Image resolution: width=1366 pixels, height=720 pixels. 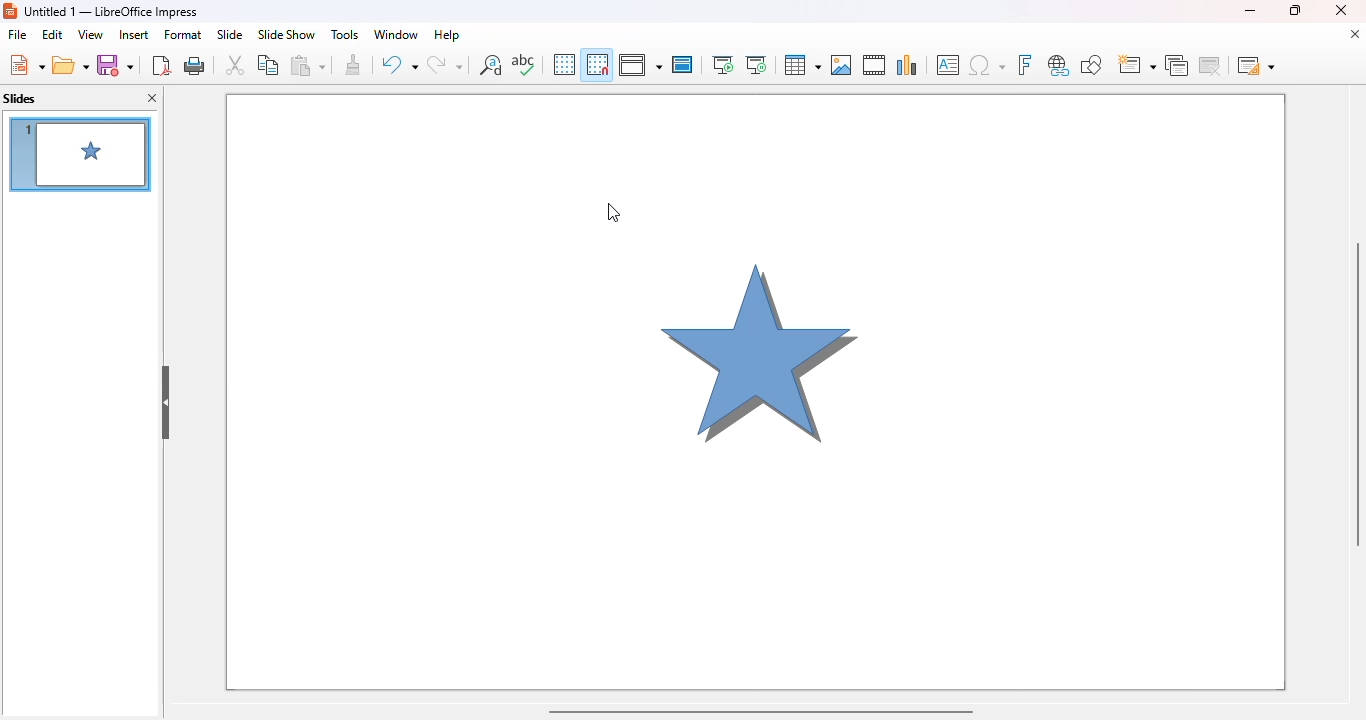 I want to click on new slide, so click(x=1137, y=64).